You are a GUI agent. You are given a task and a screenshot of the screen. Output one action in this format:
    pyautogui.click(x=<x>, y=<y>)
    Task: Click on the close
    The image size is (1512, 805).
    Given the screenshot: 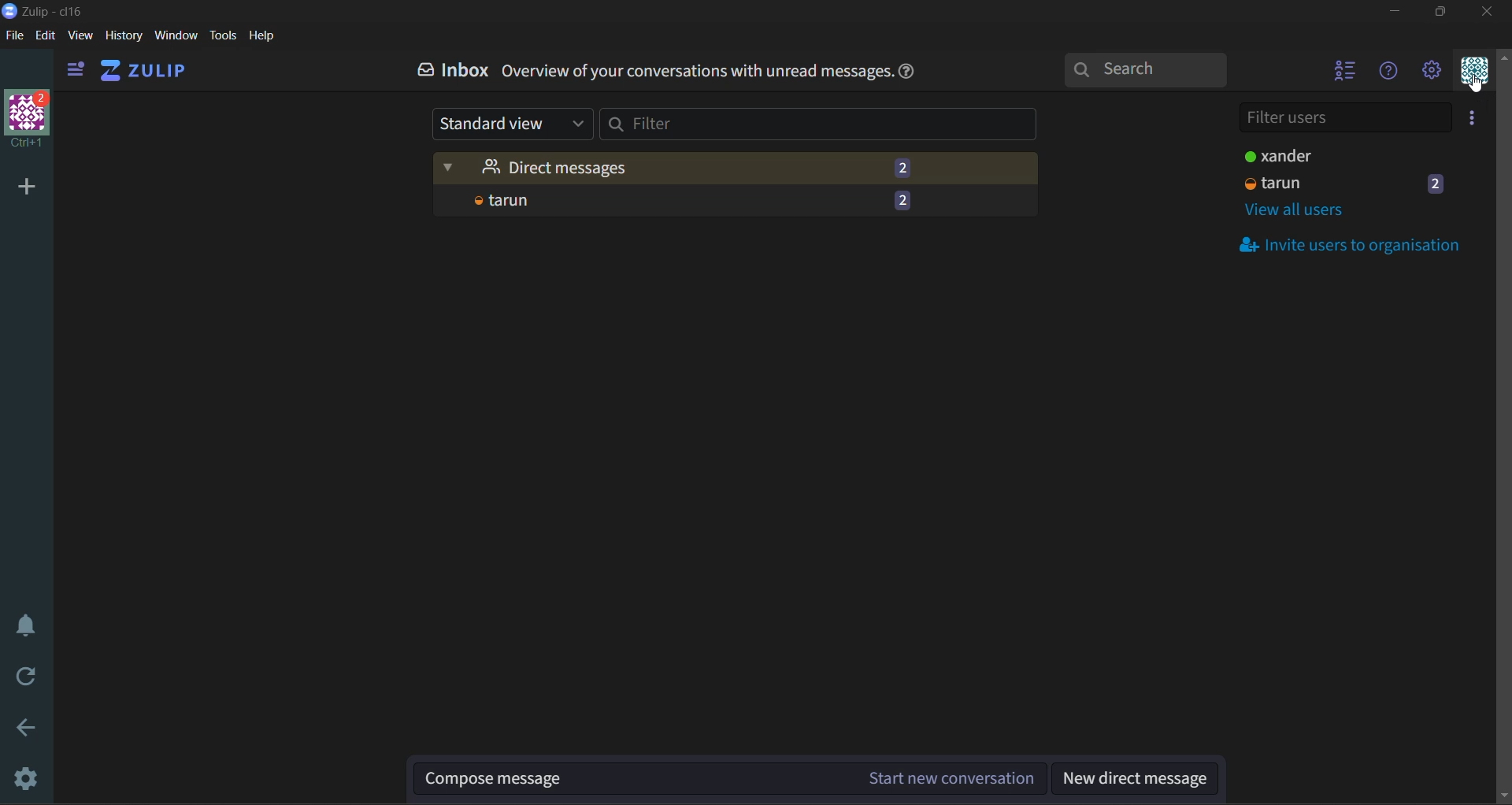 What is the action you would take?
    pyautogui.click(x=1489, y=14)
    